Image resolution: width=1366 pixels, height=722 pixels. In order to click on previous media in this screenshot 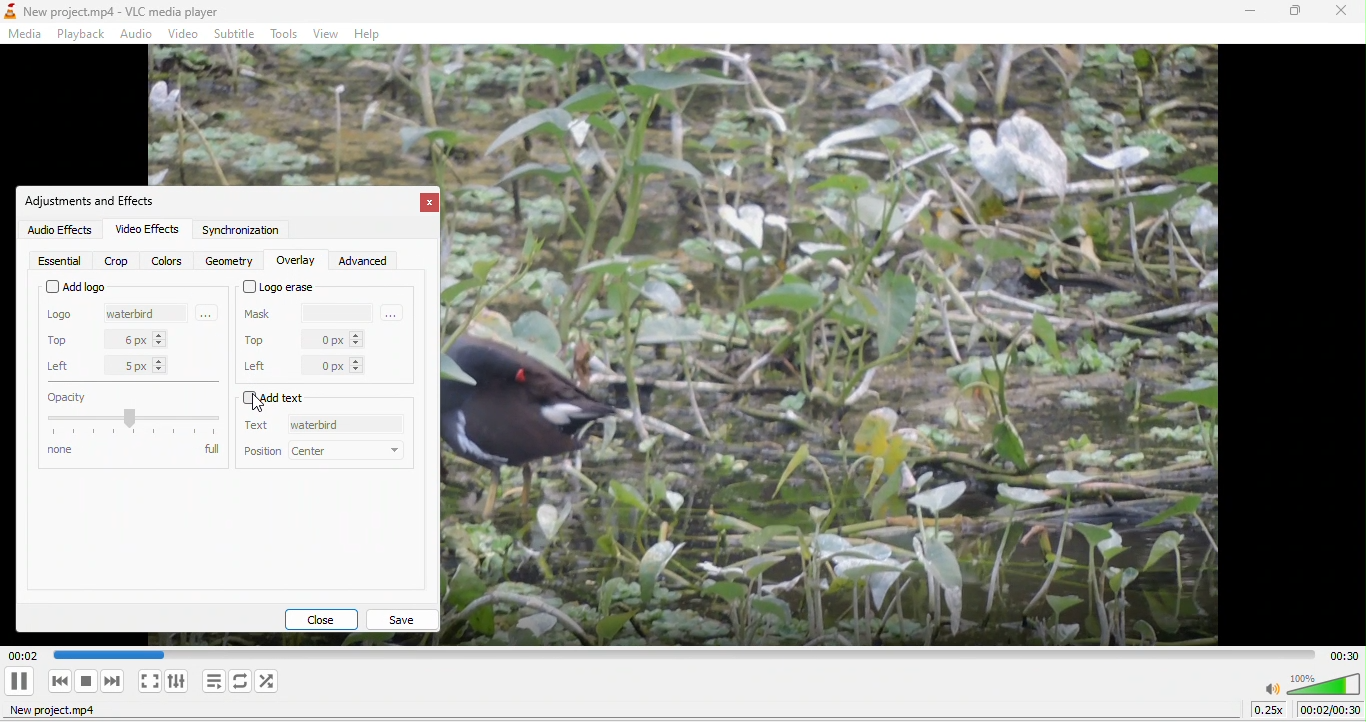, I will do `click(54, 681)`.